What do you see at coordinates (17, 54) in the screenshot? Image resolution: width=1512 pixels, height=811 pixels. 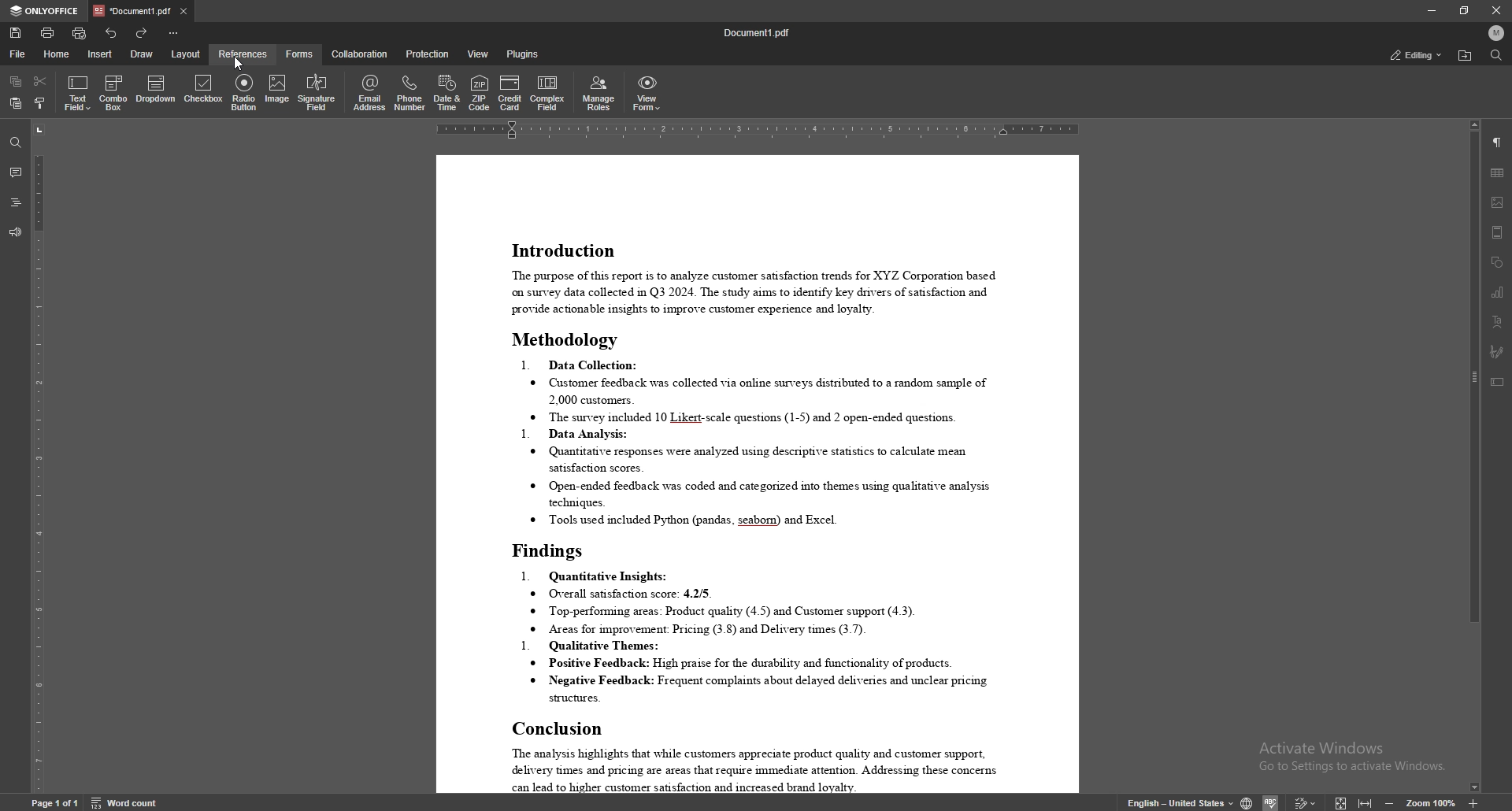 I see `file` at bounding box center [17, 54].